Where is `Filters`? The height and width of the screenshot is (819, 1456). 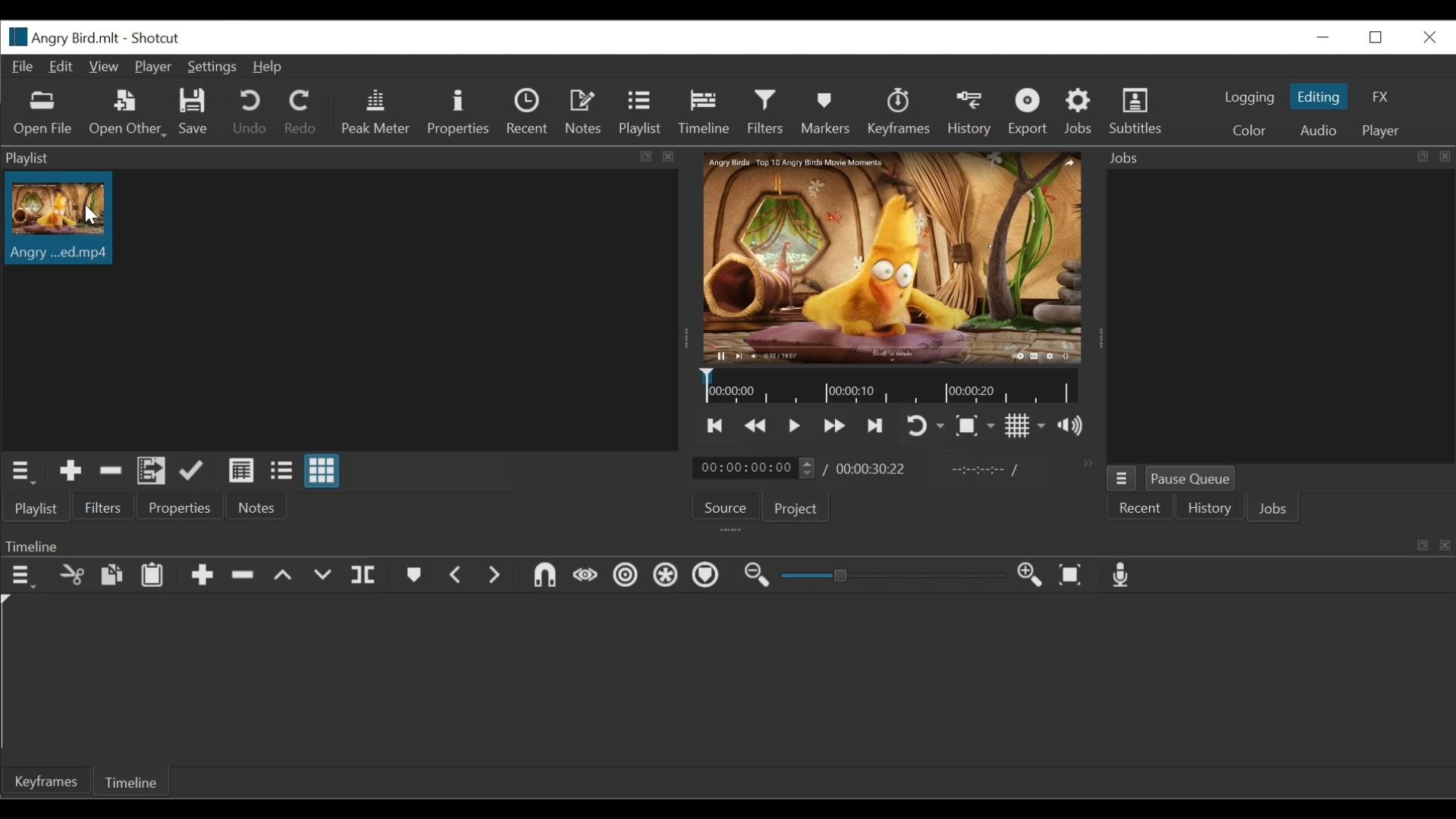
Filters is located at coordinates (101, 507).